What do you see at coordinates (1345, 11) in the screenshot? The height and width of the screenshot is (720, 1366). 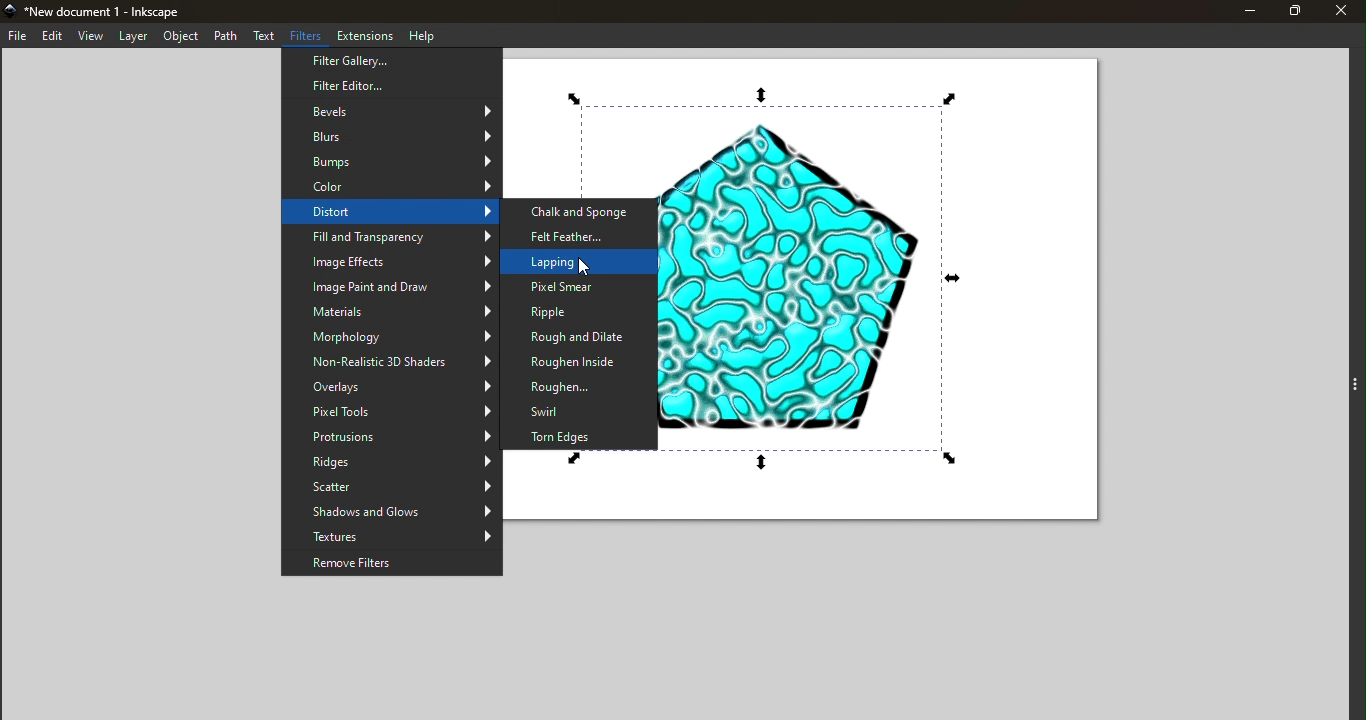 I see `Close` at bounding box center [1345, 11].